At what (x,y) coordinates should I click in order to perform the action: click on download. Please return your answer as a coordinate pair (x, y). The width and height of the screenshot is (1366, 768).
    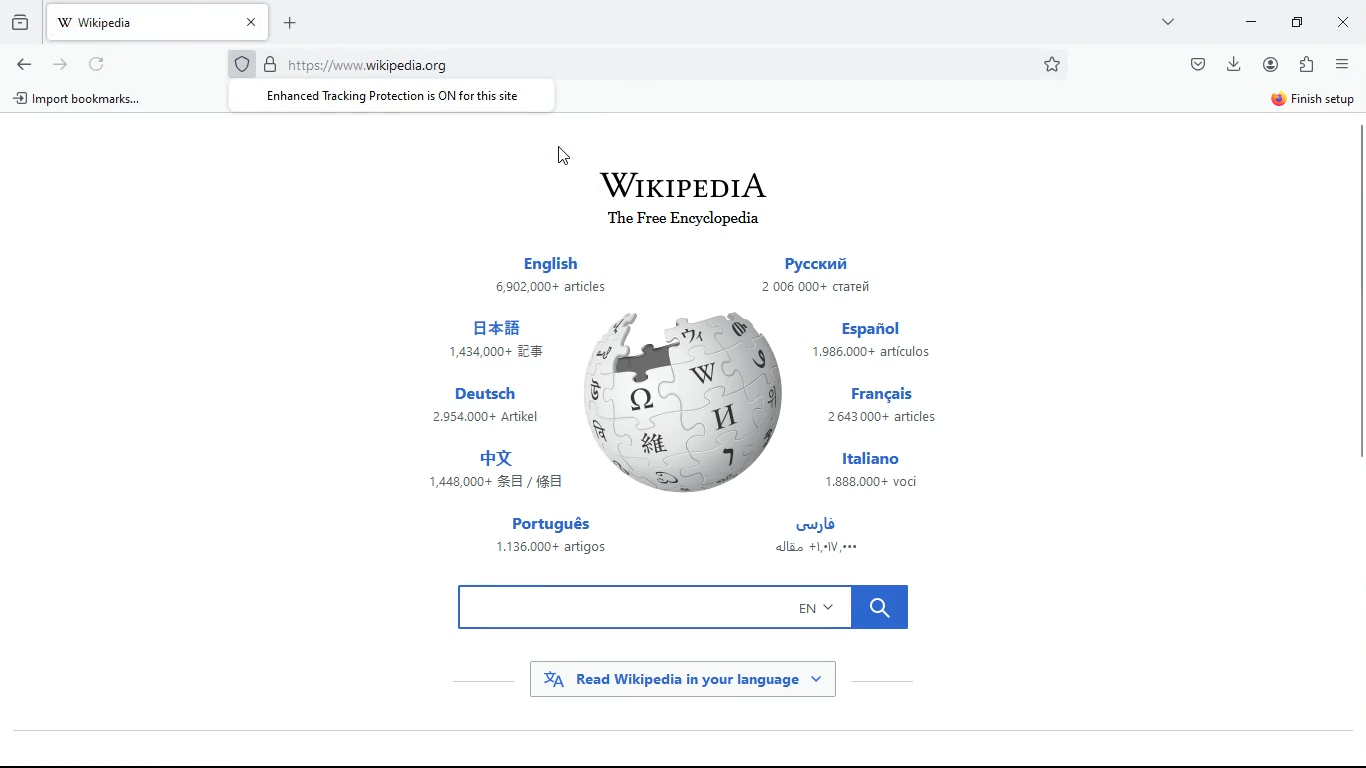
    Looking at the image, I should click on (1232, 66).